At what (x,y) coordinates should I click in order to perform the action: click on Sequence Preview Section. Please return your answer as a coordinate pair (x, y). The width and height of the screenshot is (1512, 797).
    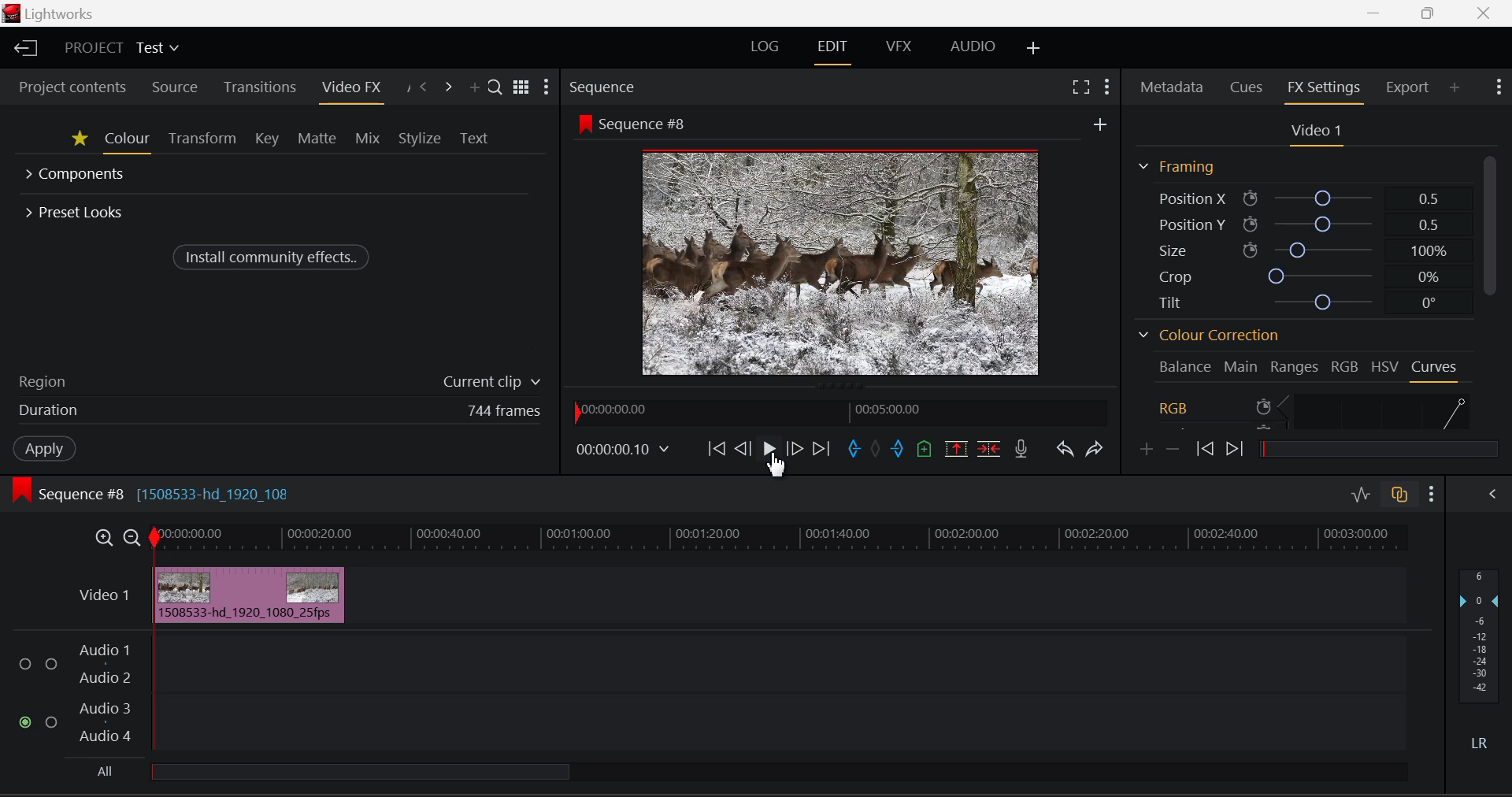
    Looking at the image, I should click on (603, 87).